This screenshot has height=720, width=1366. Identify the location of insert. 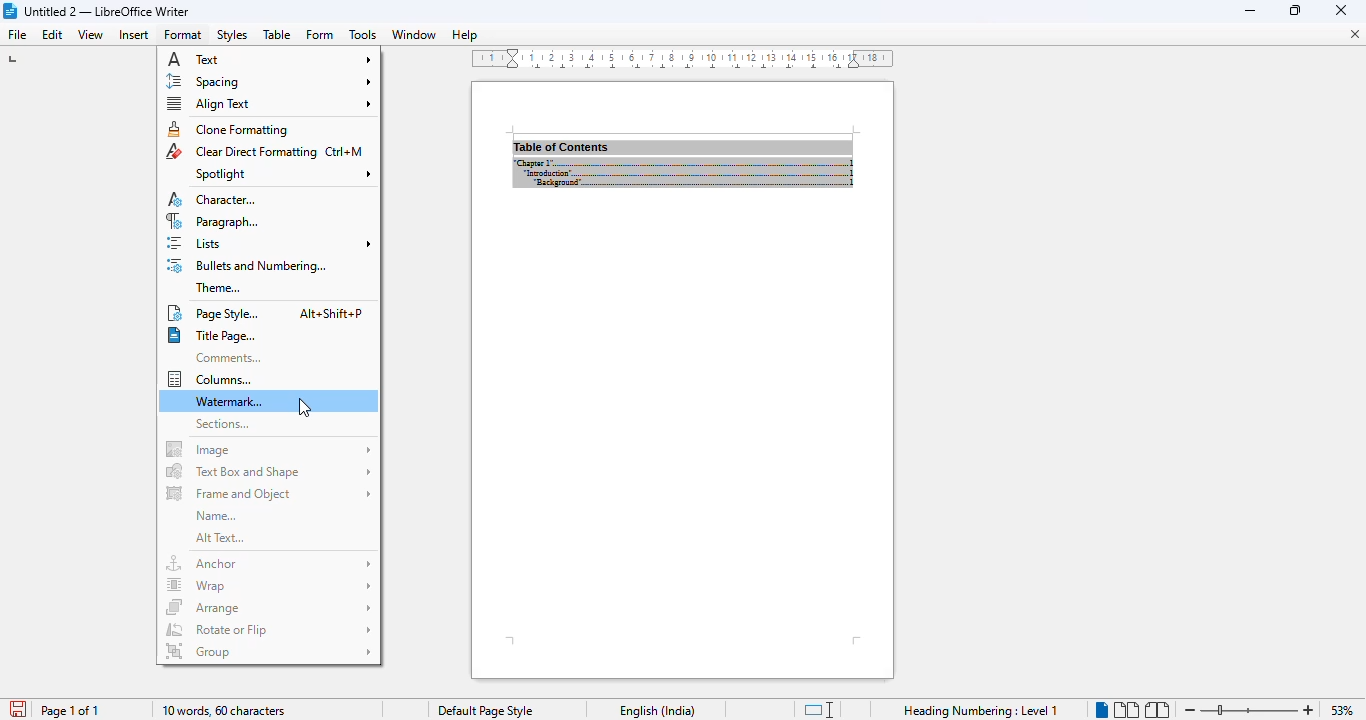
(133, 34).